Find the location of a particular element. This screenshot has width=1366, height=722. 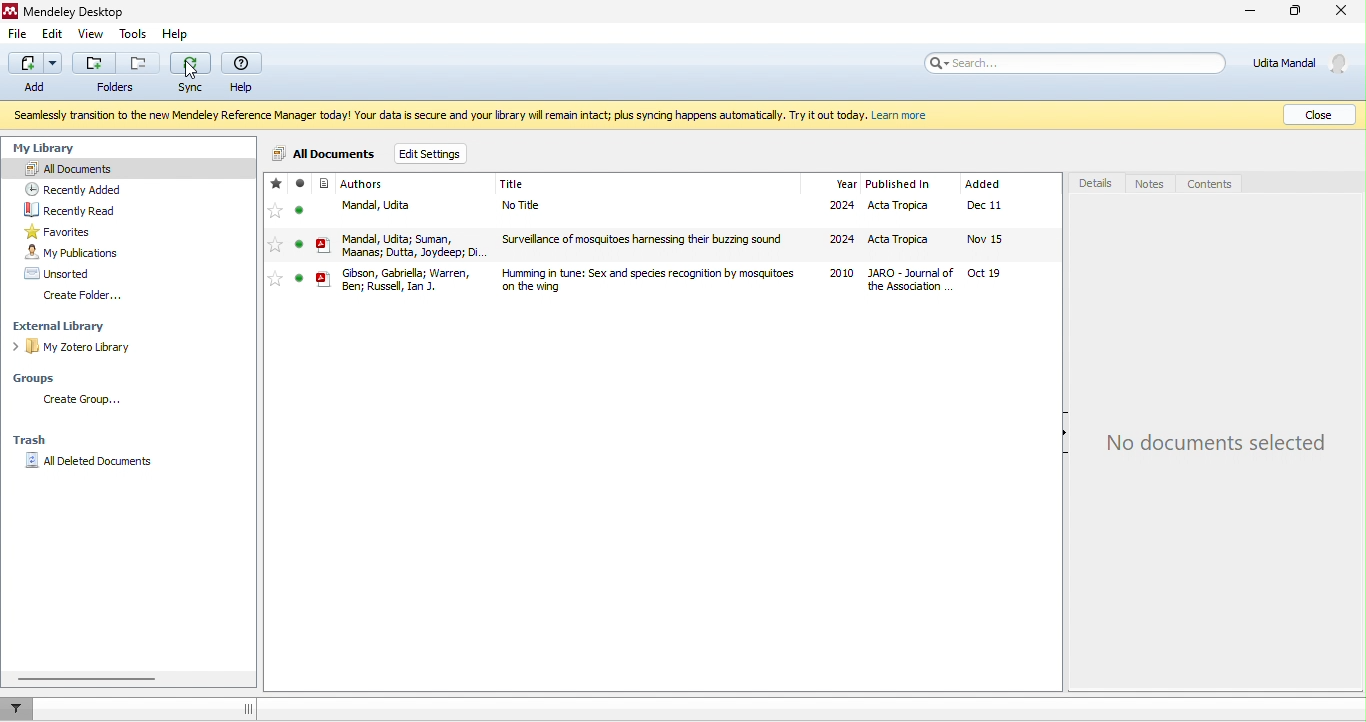

published in  is located at coordinates (904, 184).